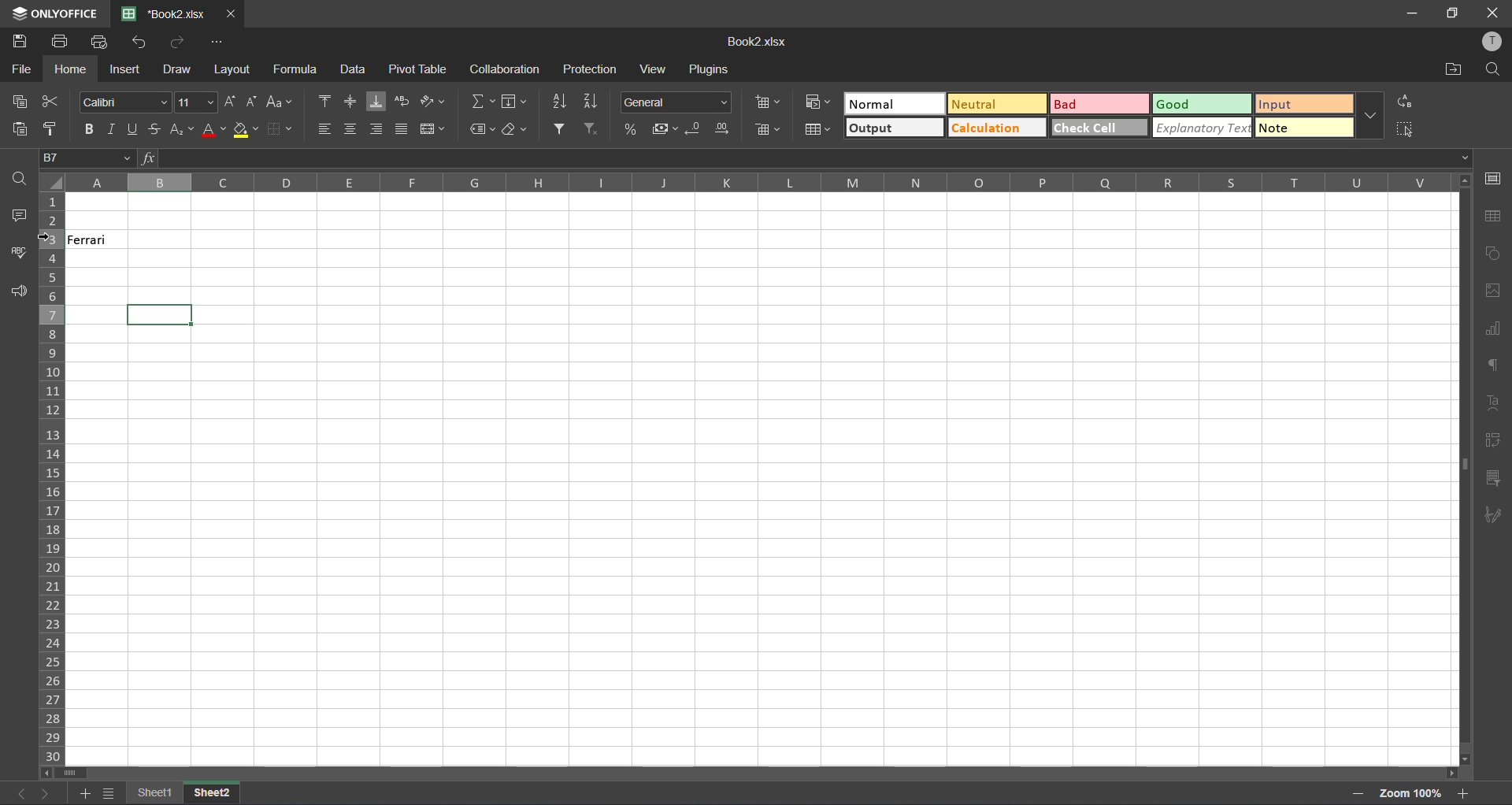 The width and height of the screenshot is (1512, 805). Describe the element at coordinates (769, 130) in the screenshot. I see `delete cells` at that location.